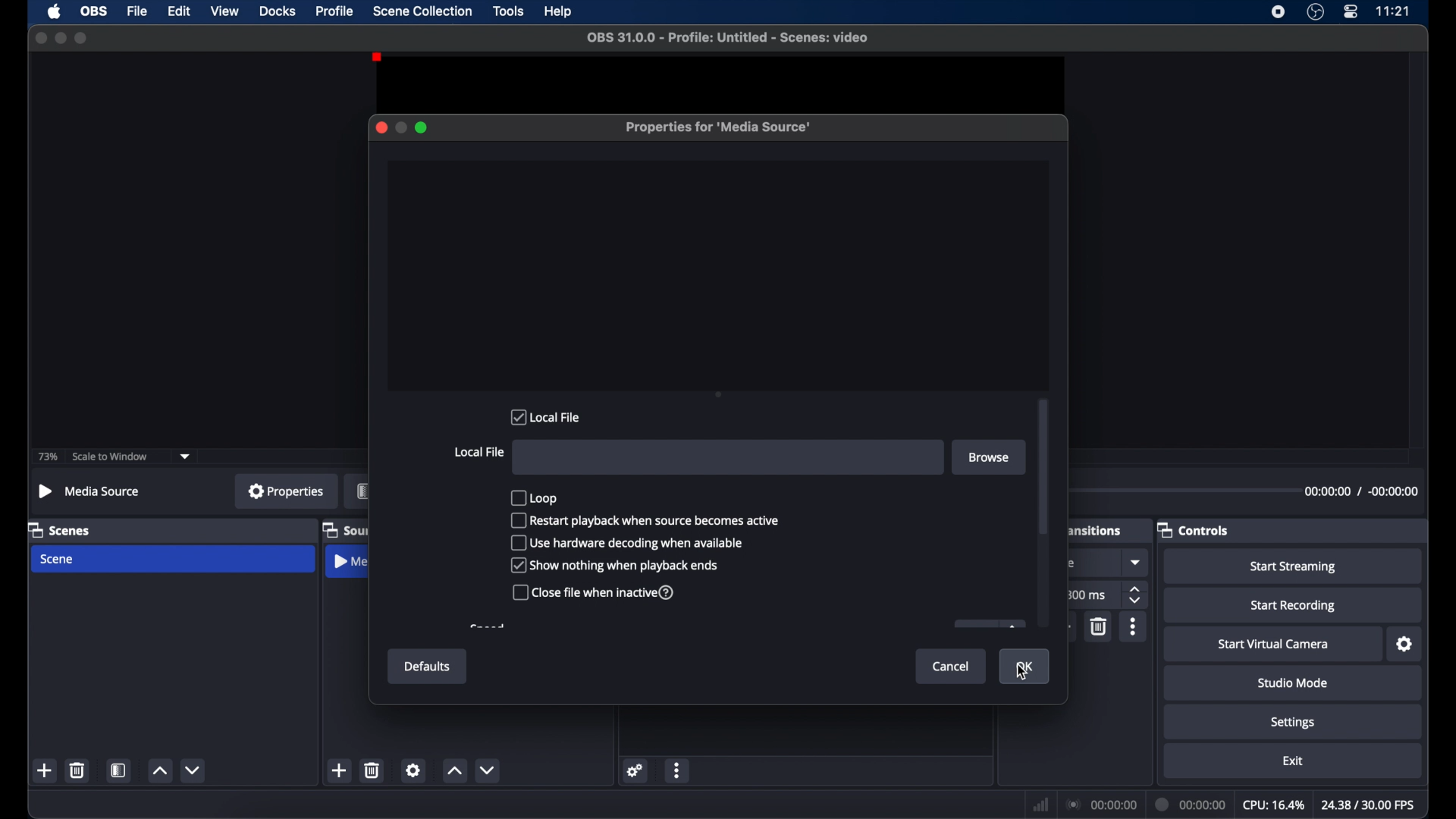 The height and width of the screenshot is (819, 1456). I want to click on studio mode, so click(1293, 682).